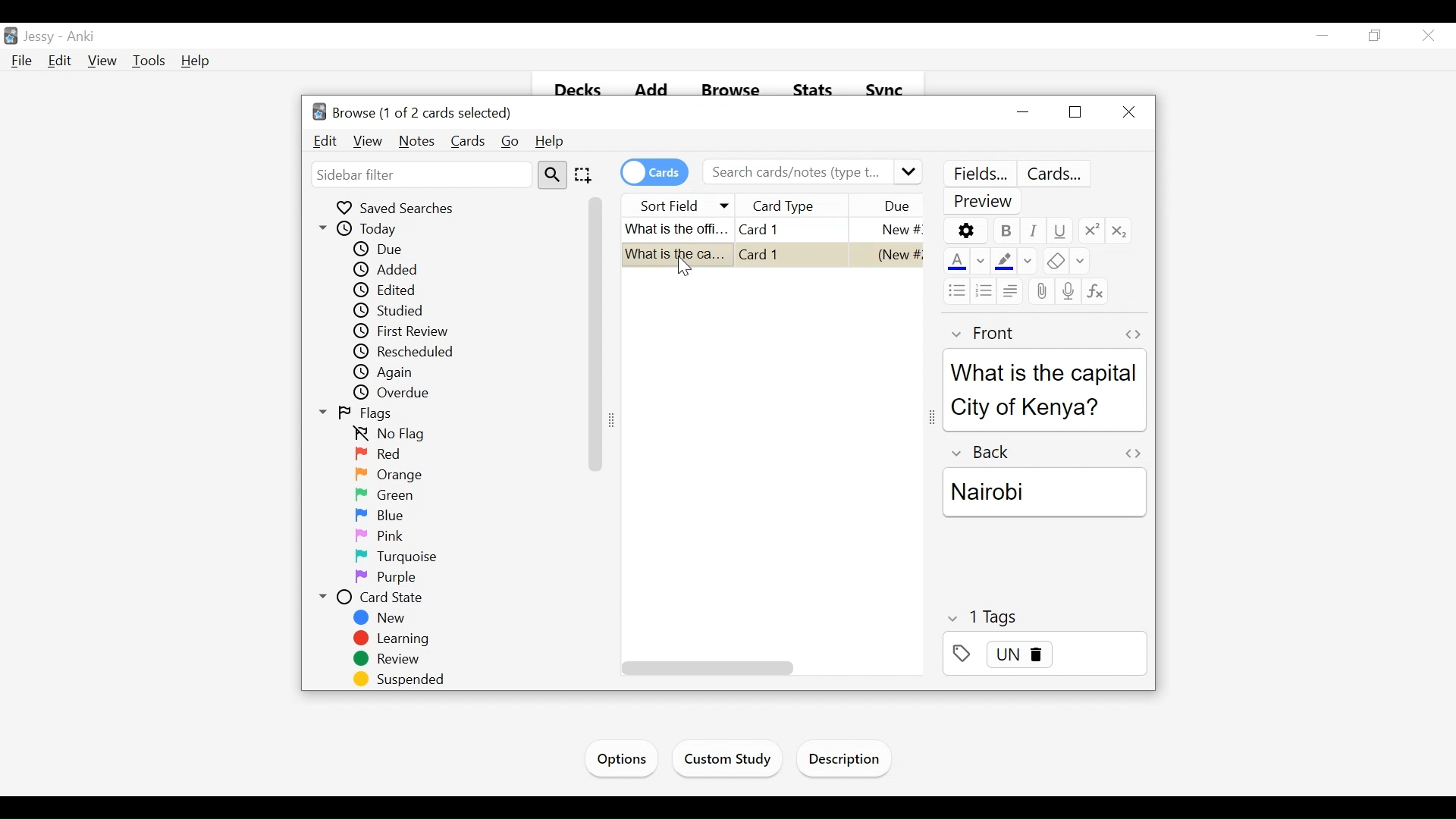 The image size is (1456, 819). I want to click on Restore, so click(1376, 36).